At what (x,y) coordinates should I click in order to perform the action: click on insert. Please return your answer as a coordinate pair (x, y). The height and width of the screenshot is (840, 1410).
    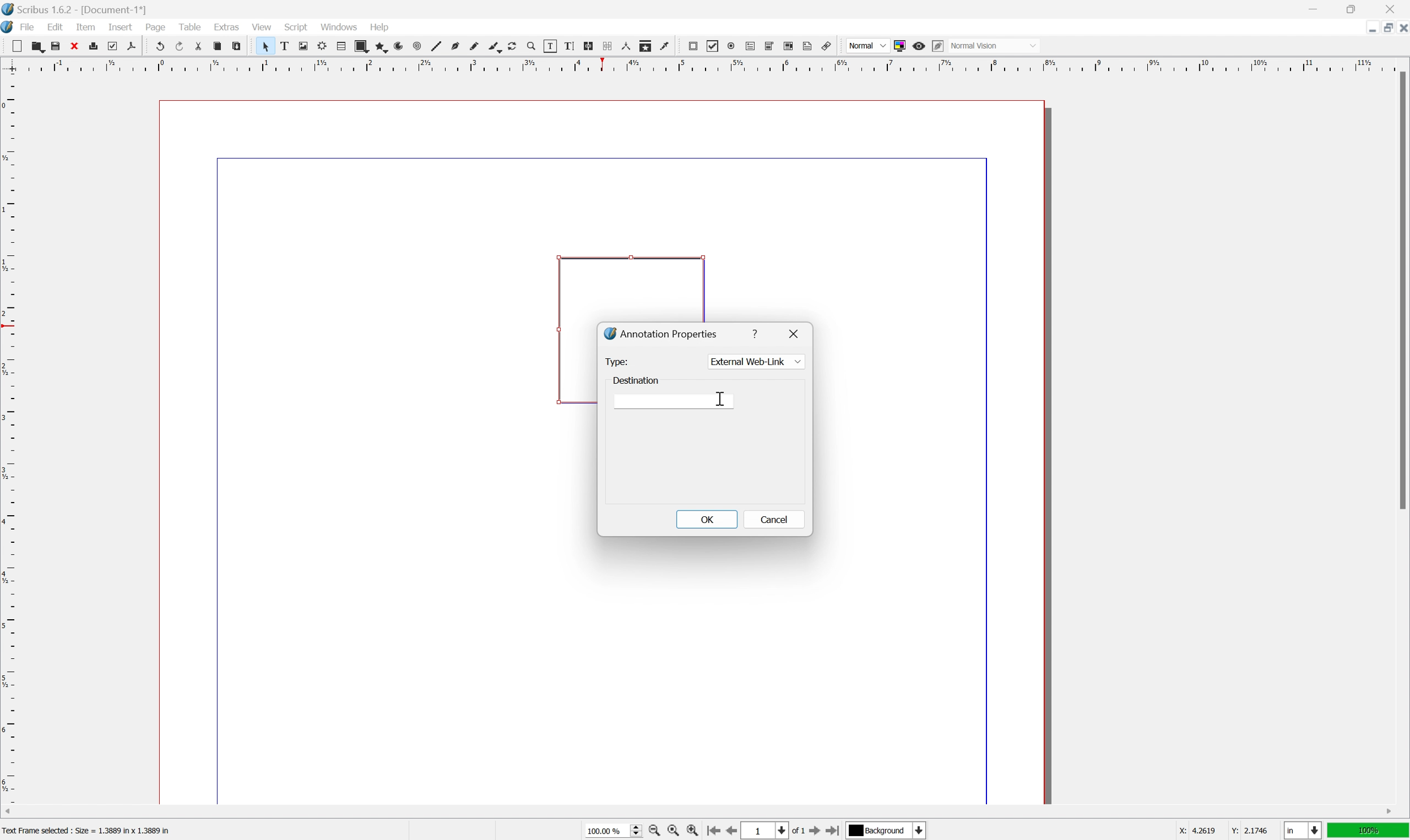
    Looking at the image, I should click on (121, 27).